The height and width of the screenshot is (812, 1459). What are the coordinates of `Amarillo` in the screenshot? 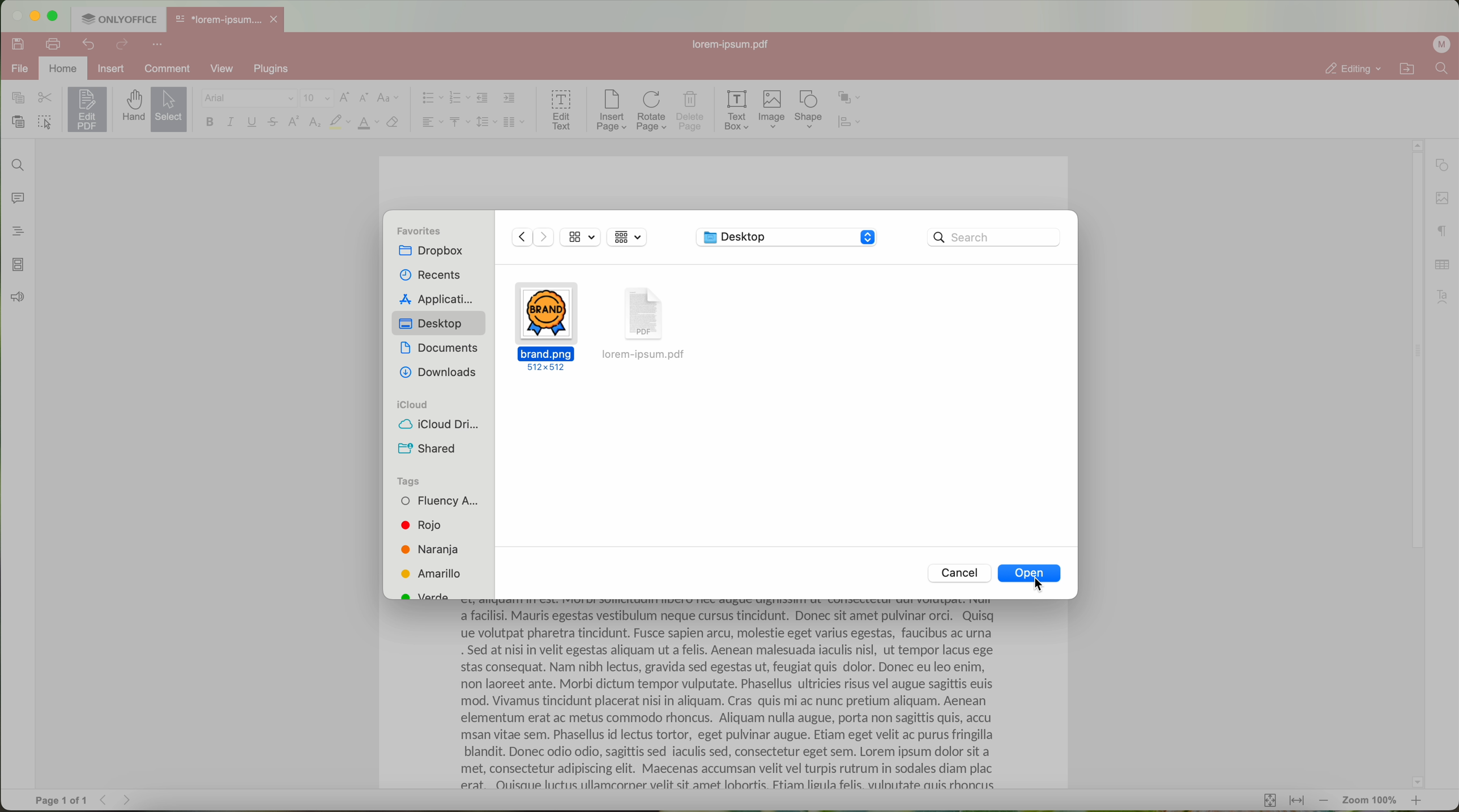 It's located at (433, 573).